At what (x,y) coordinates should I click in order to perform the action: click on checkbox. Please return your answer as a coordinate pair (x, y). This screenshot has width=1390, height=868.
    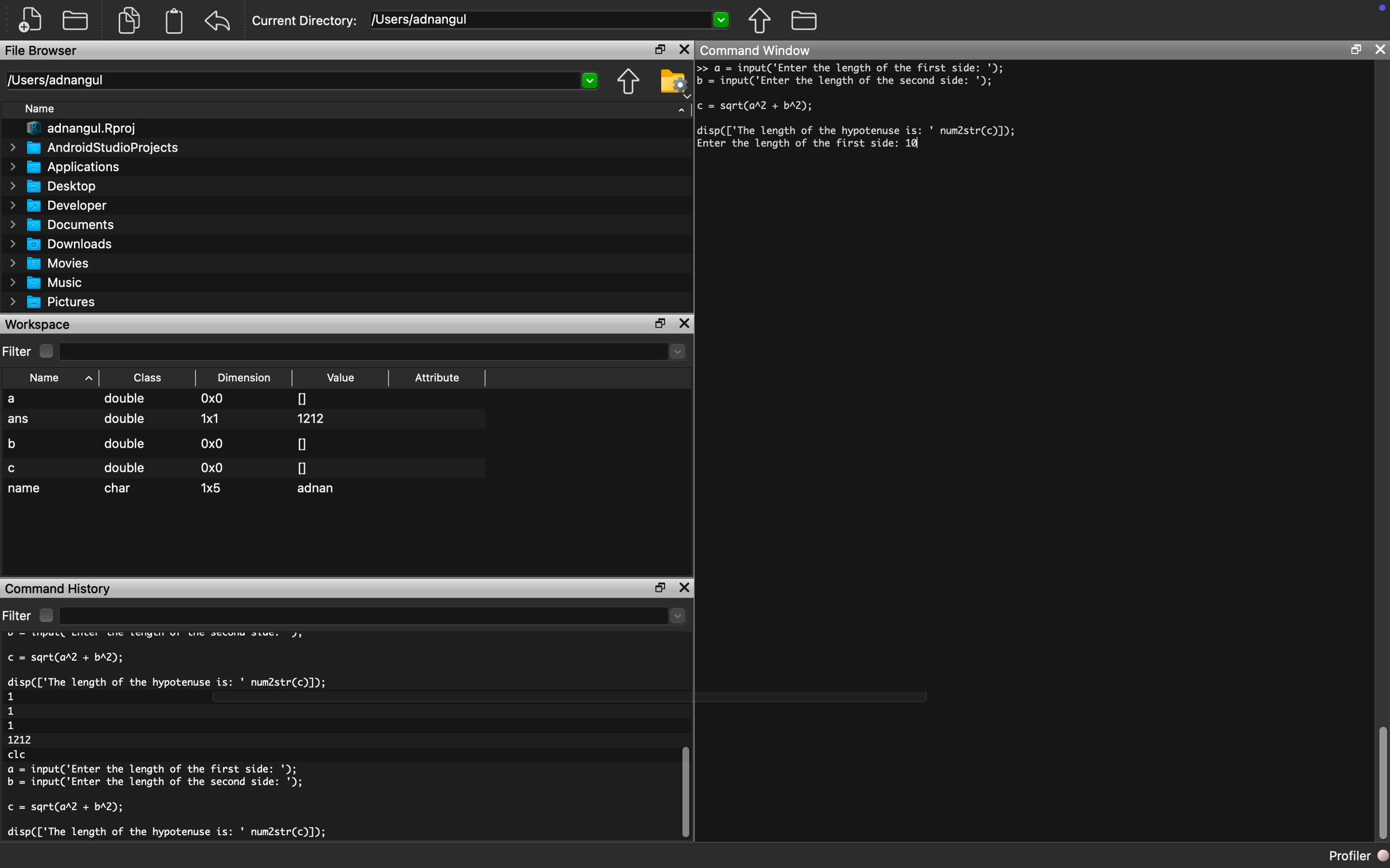
    Looking at the image, I should click on (45, 615).